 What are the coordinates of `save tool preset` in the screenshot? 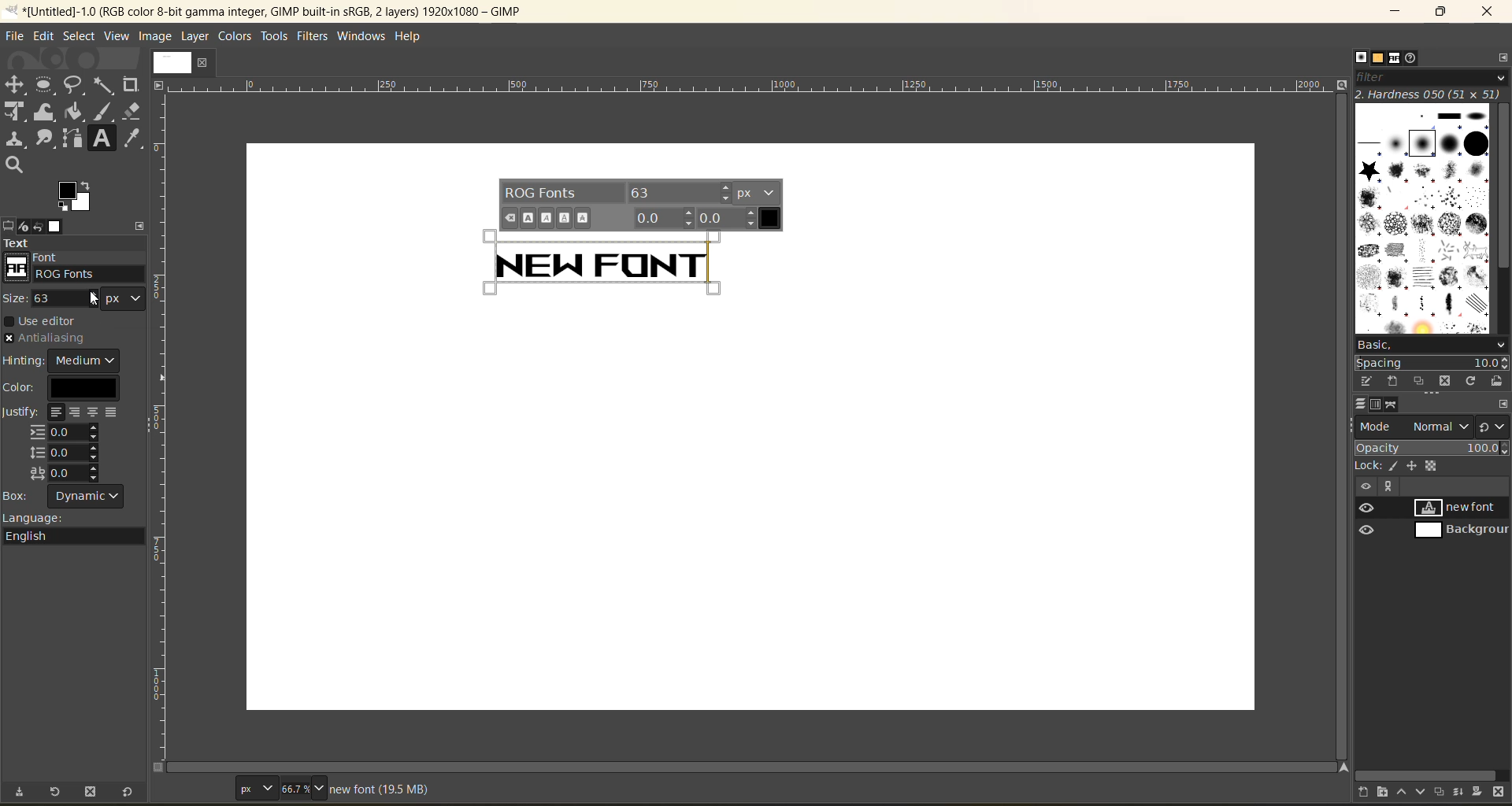 It's located at (22, 793).